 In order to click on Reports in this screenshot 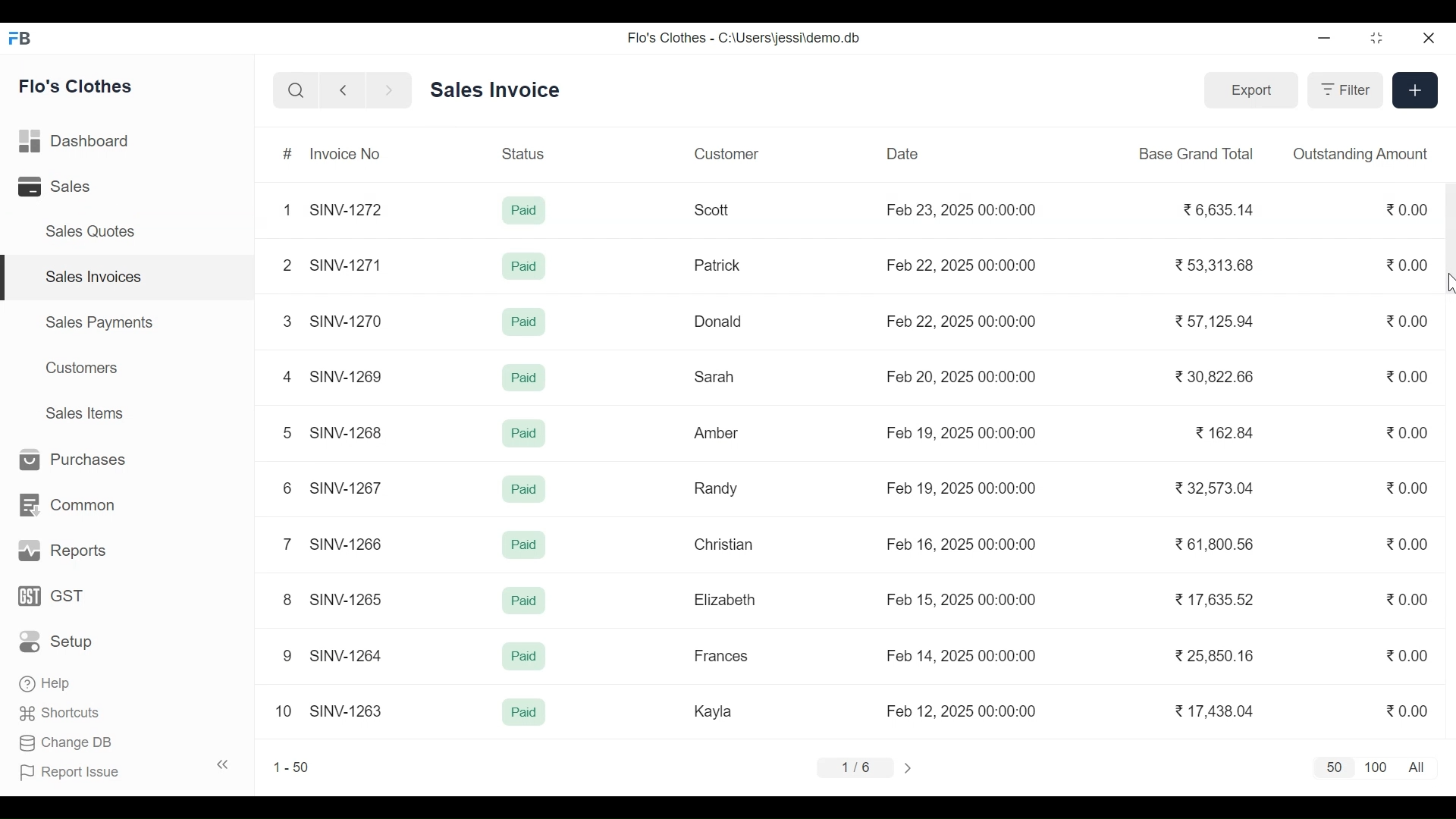, I will do `click(59, 551)`.